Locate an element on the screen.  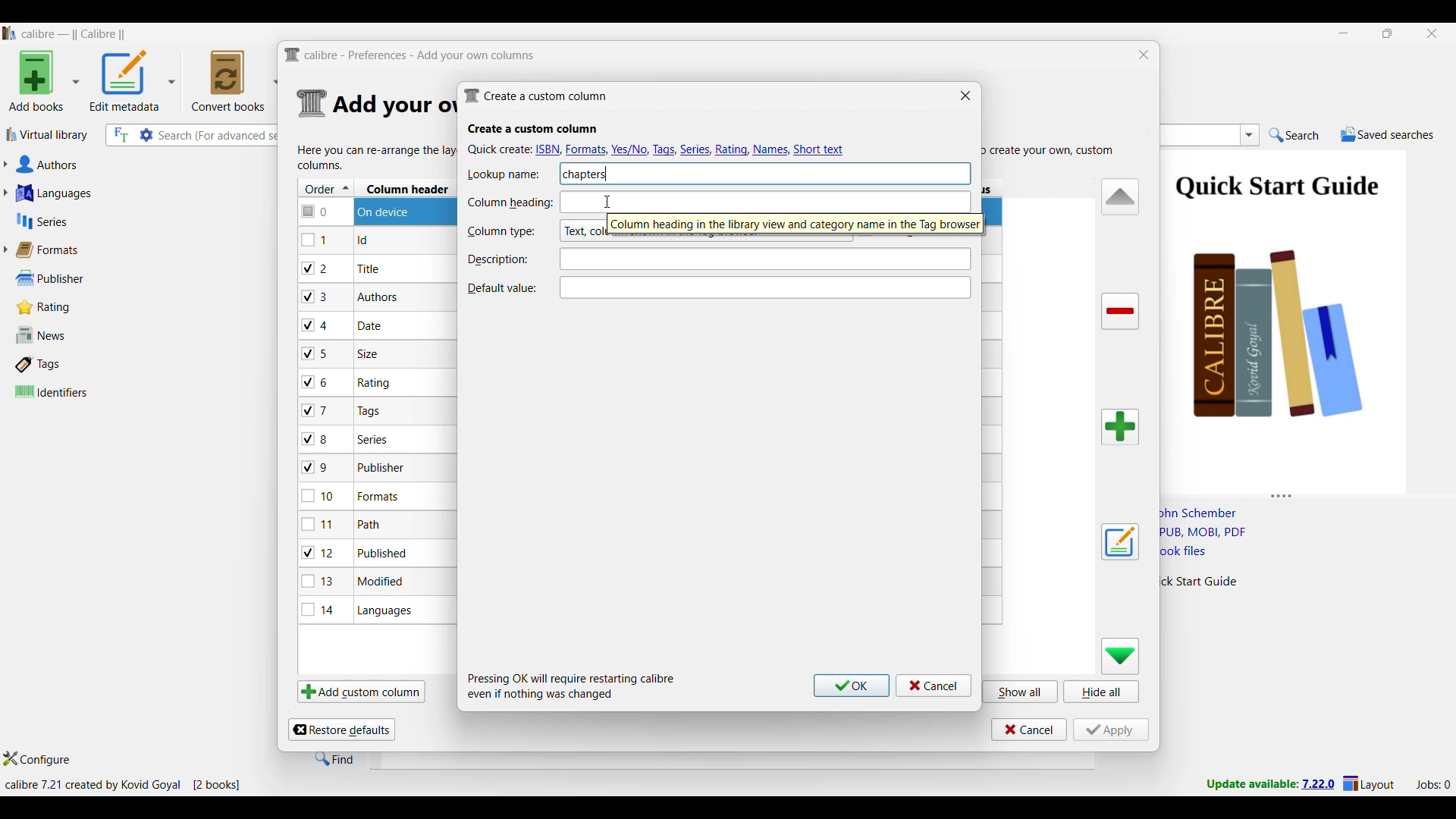
checkbox - 12 is located at coordinates (320, 552).